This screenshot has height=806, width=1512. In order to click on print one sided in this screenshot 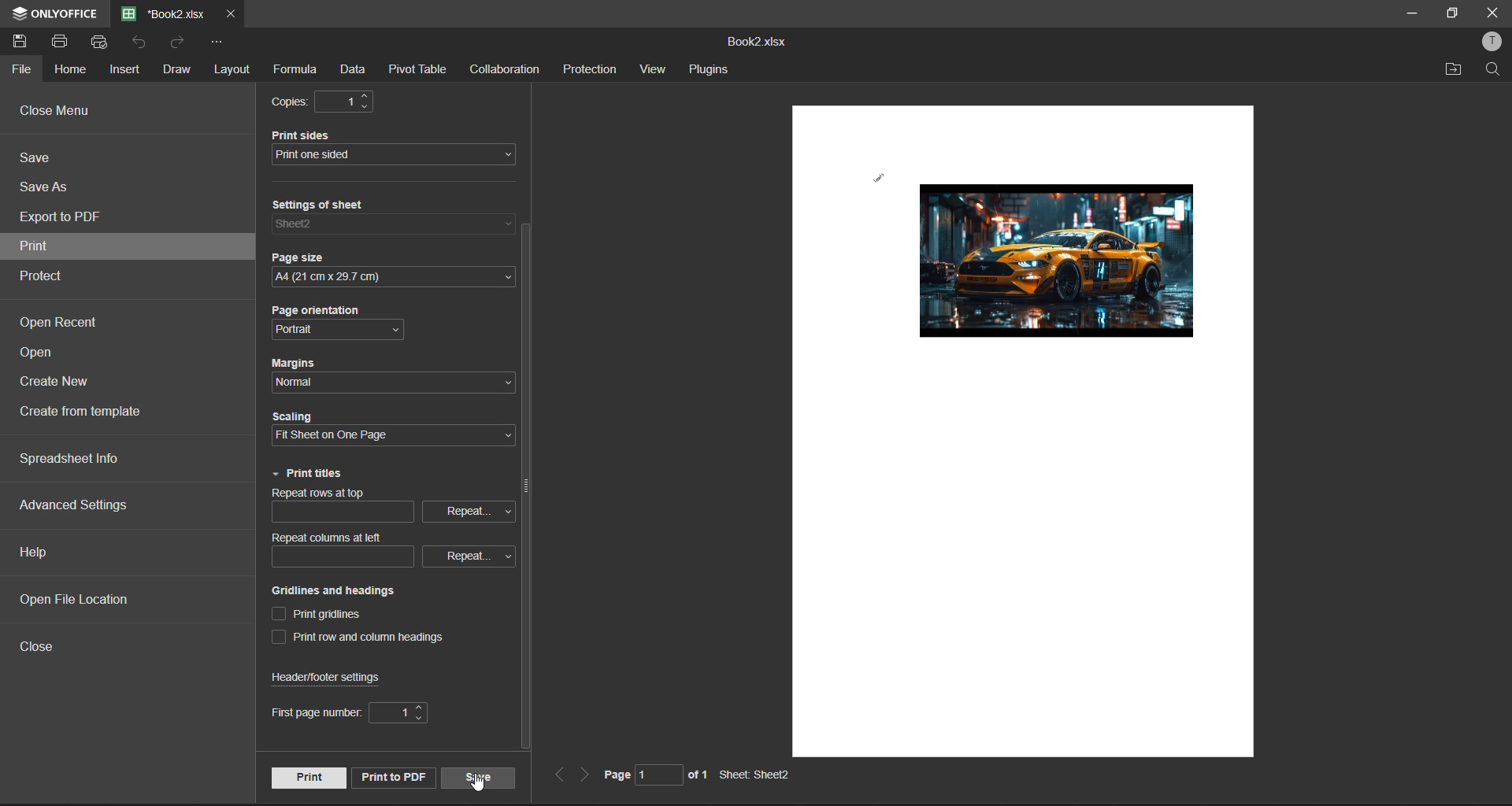, I will do `click(383, 156)`.